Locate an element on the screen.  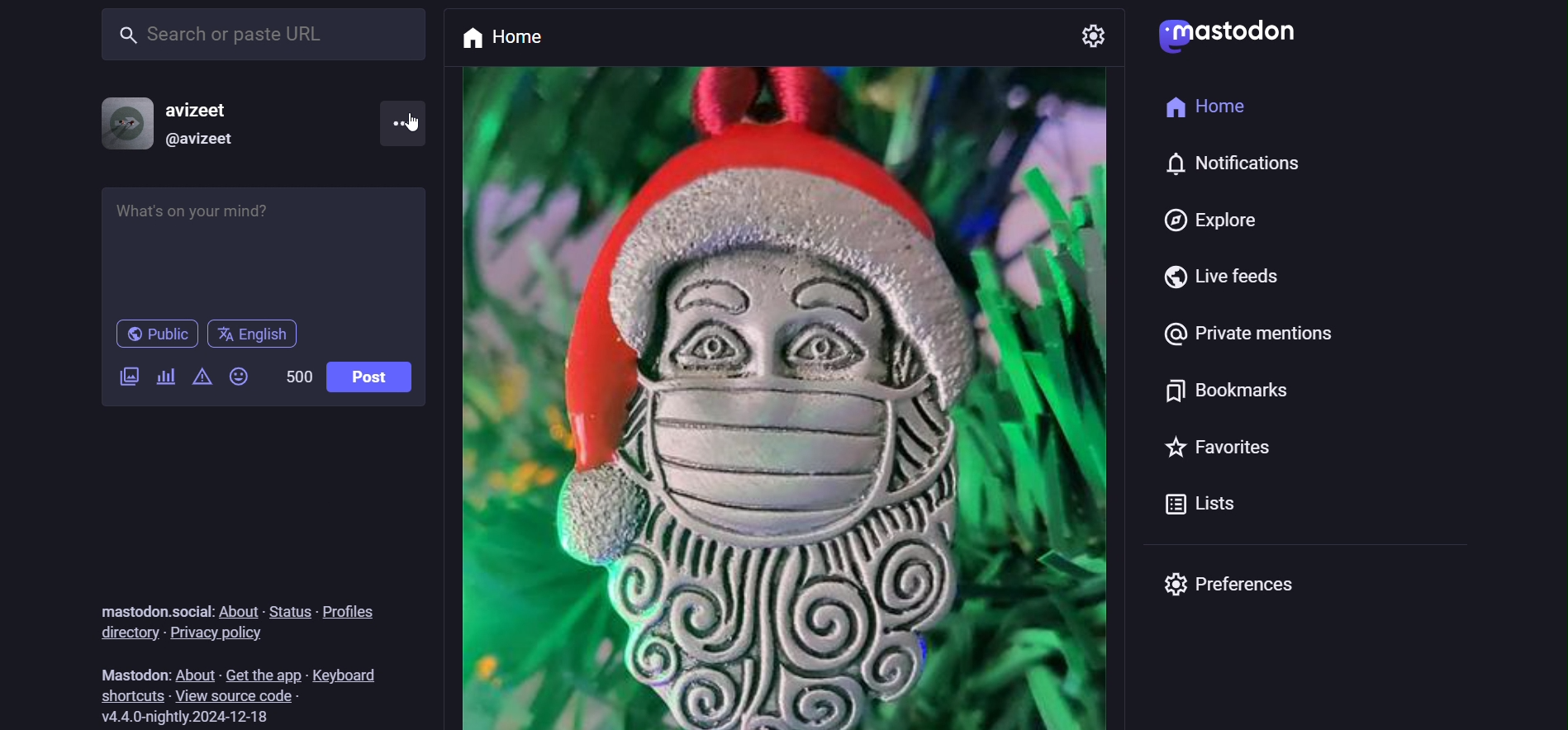
version is located at coordinates (201, 718).